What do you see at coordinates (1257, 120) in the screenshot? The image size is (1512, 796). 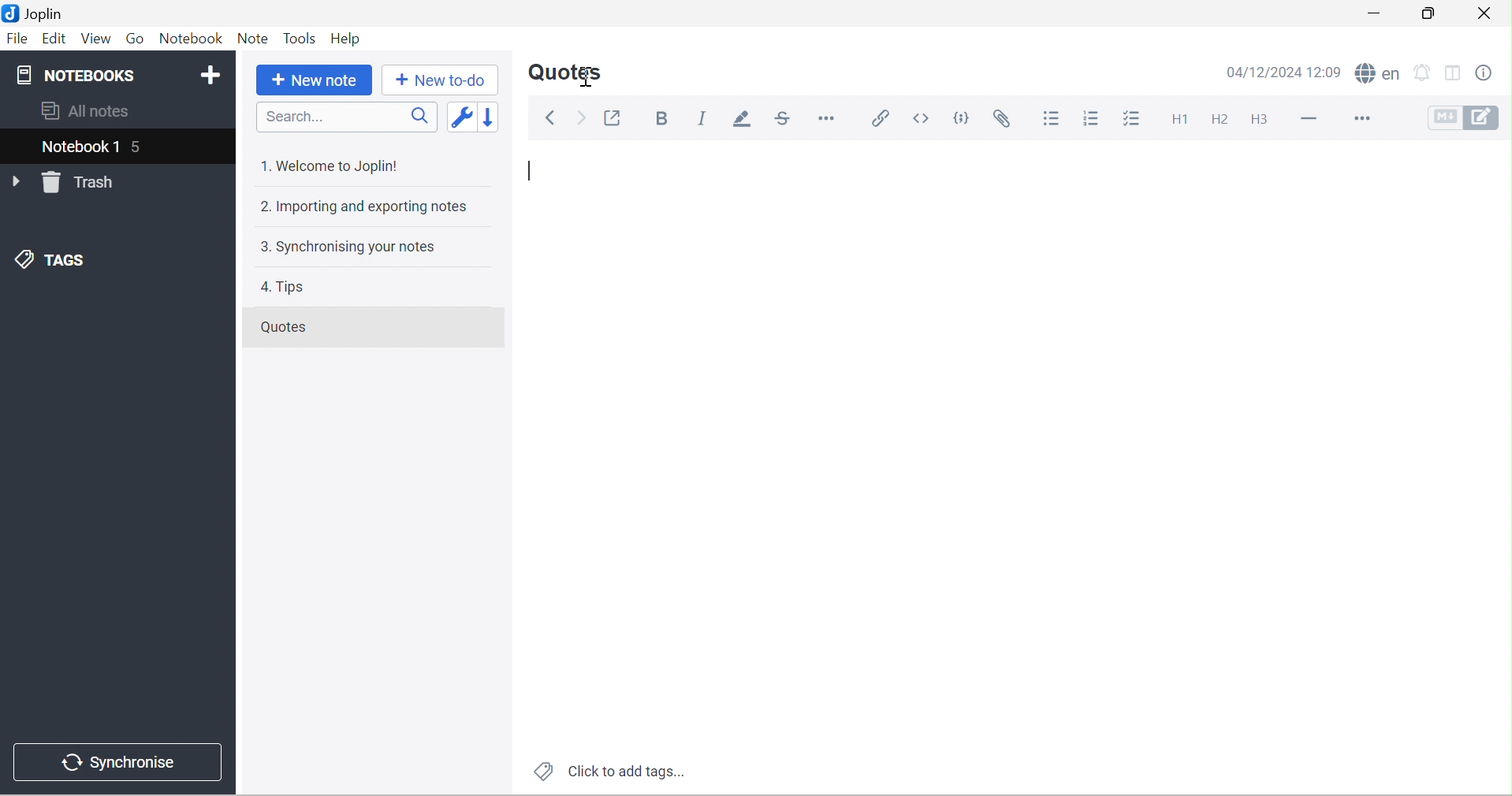 I see `Heading 3` at bounding box center [1257, 120].